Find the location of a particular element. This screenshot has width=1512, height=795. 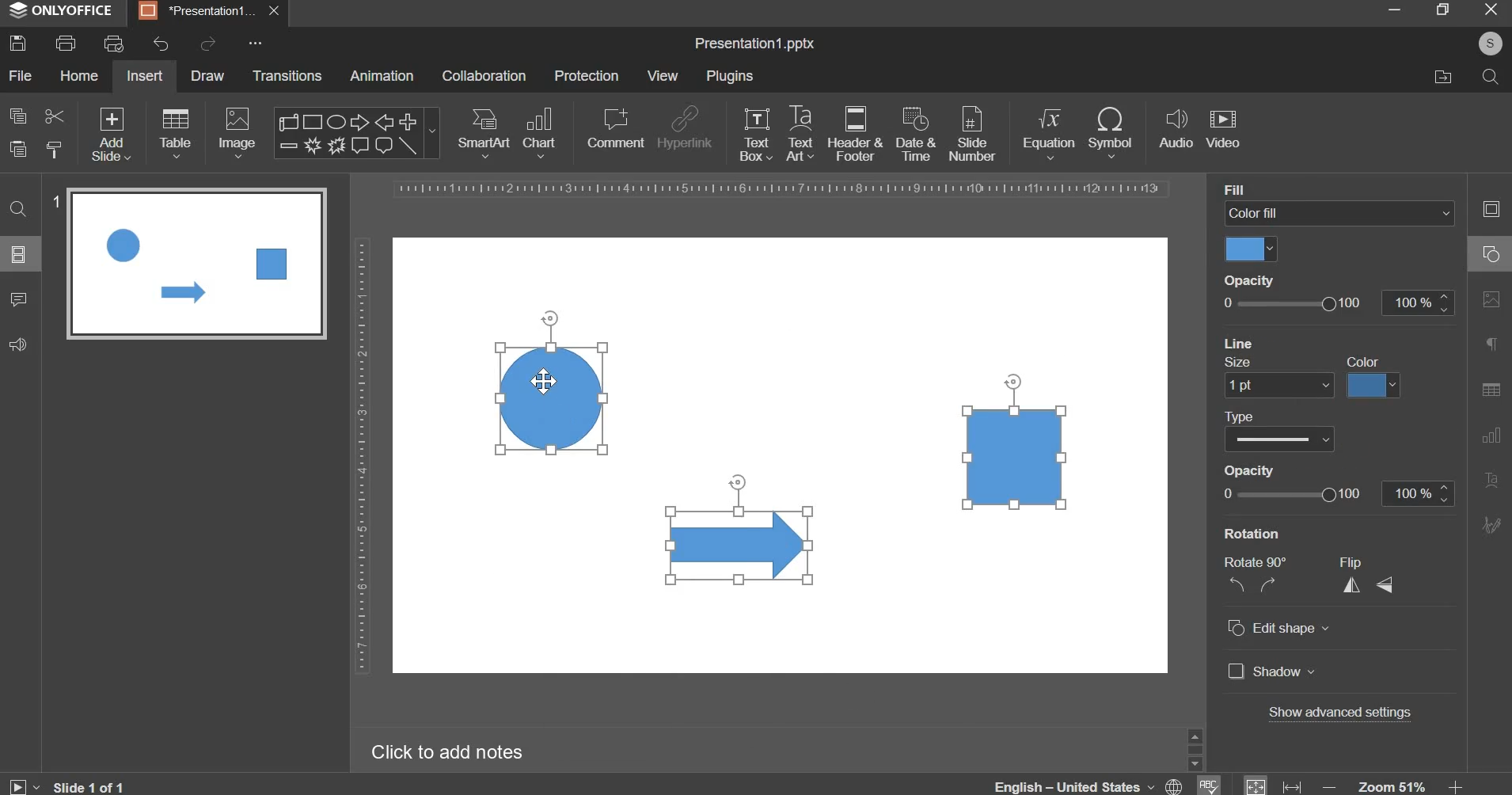

save is located at coordinates (17, 43).